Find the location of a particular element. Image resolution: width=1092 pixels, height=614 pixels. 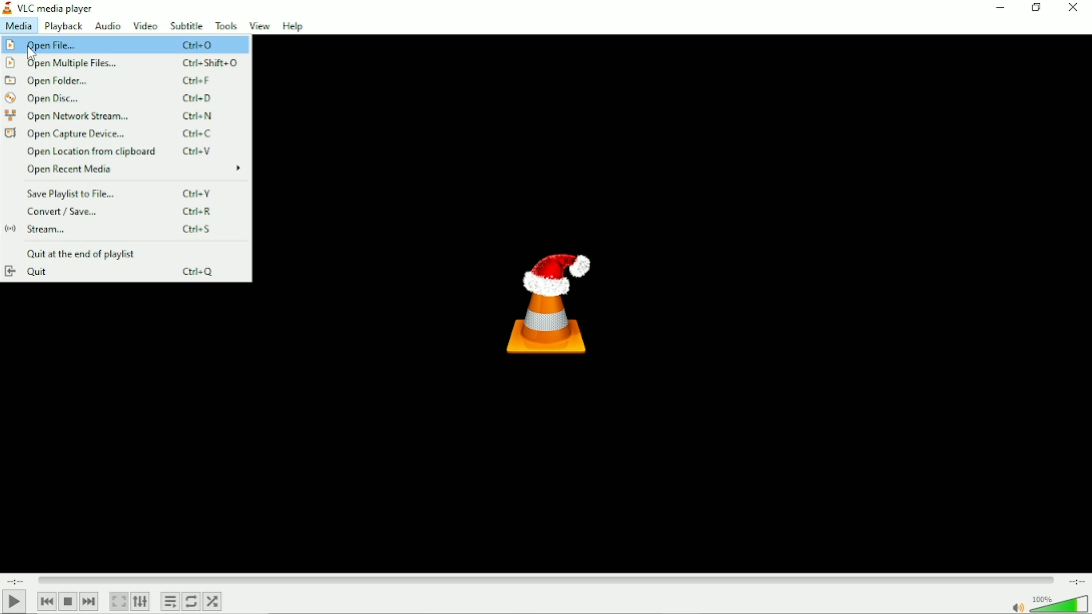

Media is located at coordinates (18, 25).